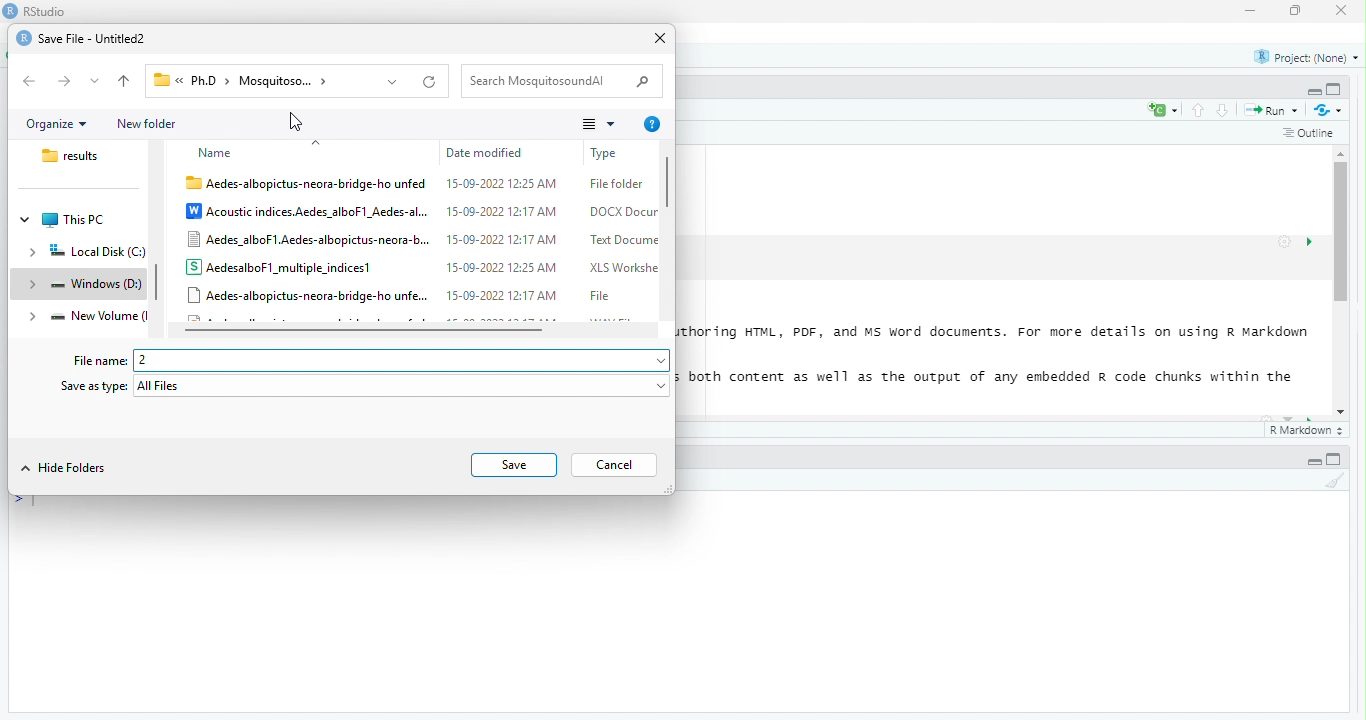  I want to click on logo, so click(24, 38).